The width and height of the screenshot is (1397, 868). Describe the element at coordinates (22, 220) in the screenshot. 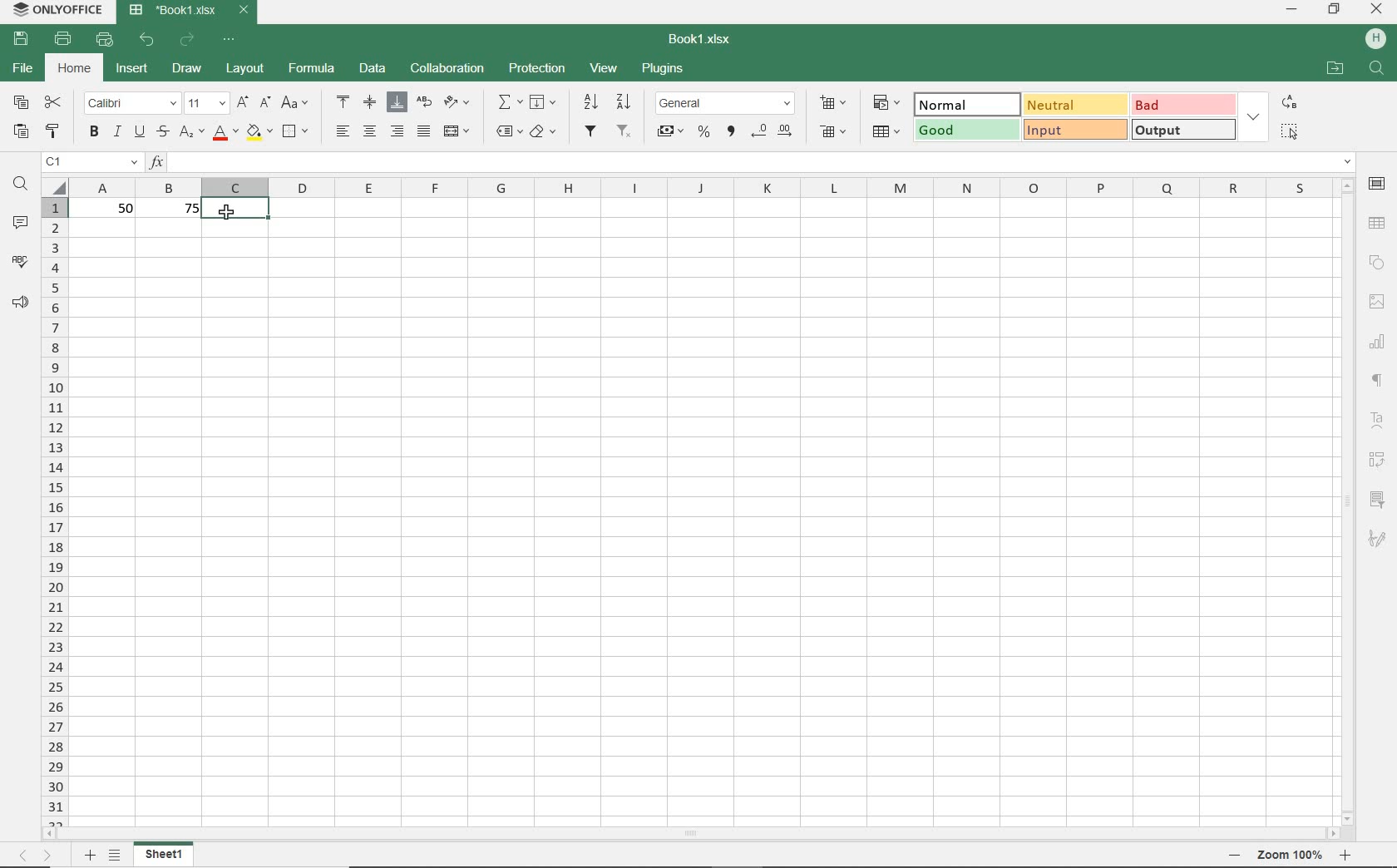

I see `comments` at that location.